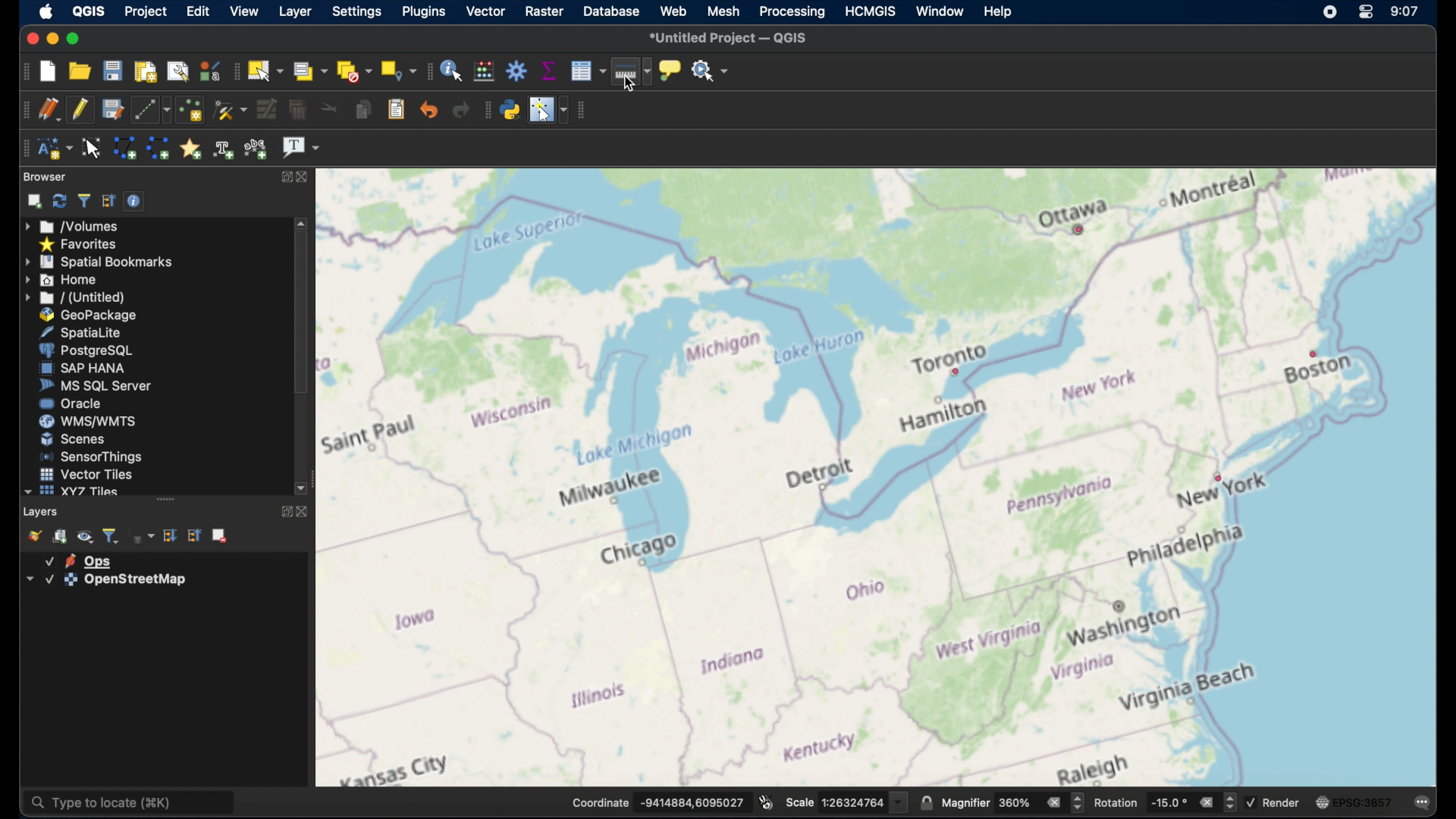 Image resolution: width=1456 pixels, height=819 pixels. Describe the element at coordinates (1205, 374) in the screenshot. I see `open street map` at that location.